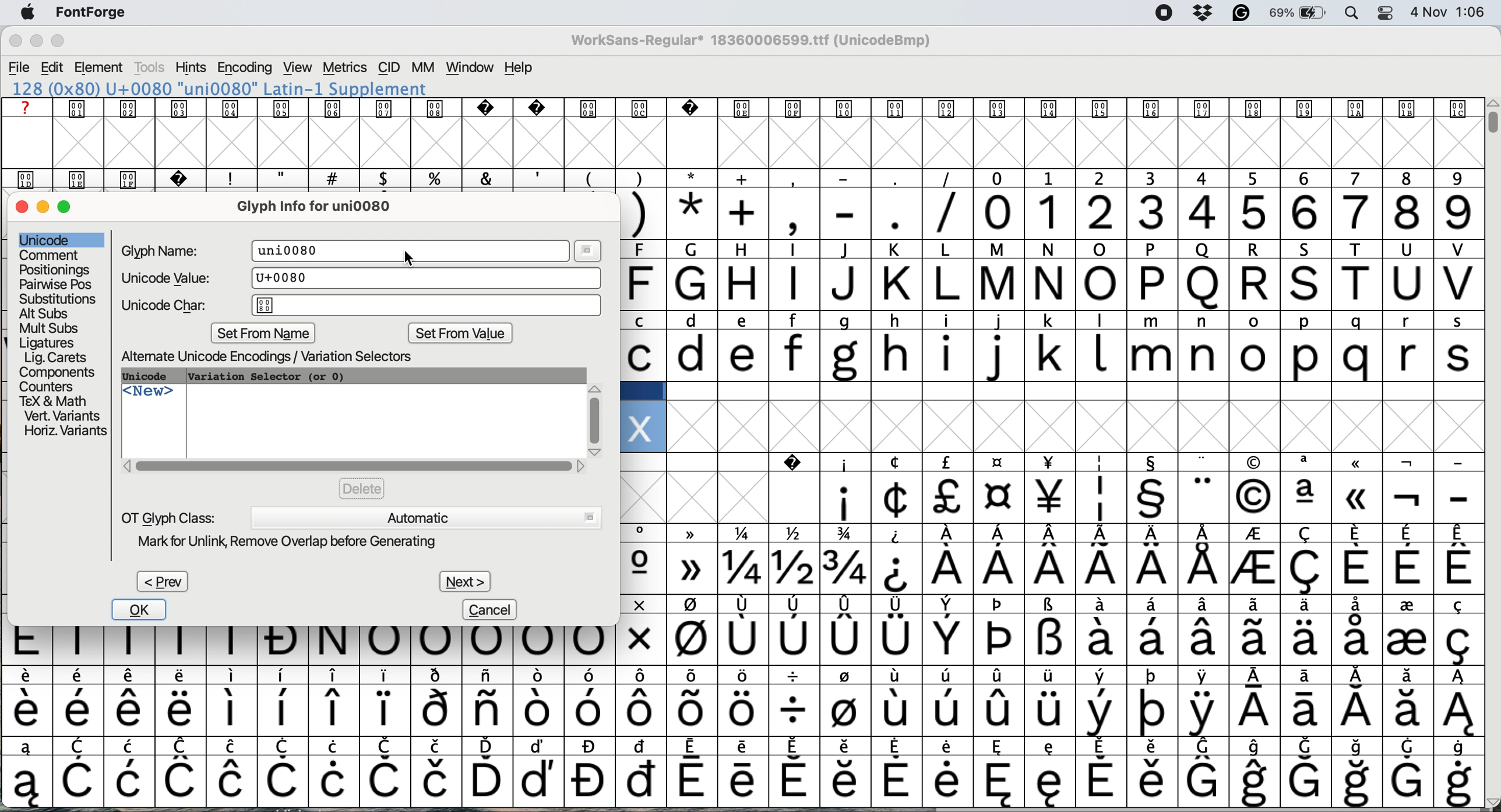 This screenshot has width=1501, height=812. Describe the element at coordinates (169, 517) in the screenshot. I see `ot glyph class` at that location.